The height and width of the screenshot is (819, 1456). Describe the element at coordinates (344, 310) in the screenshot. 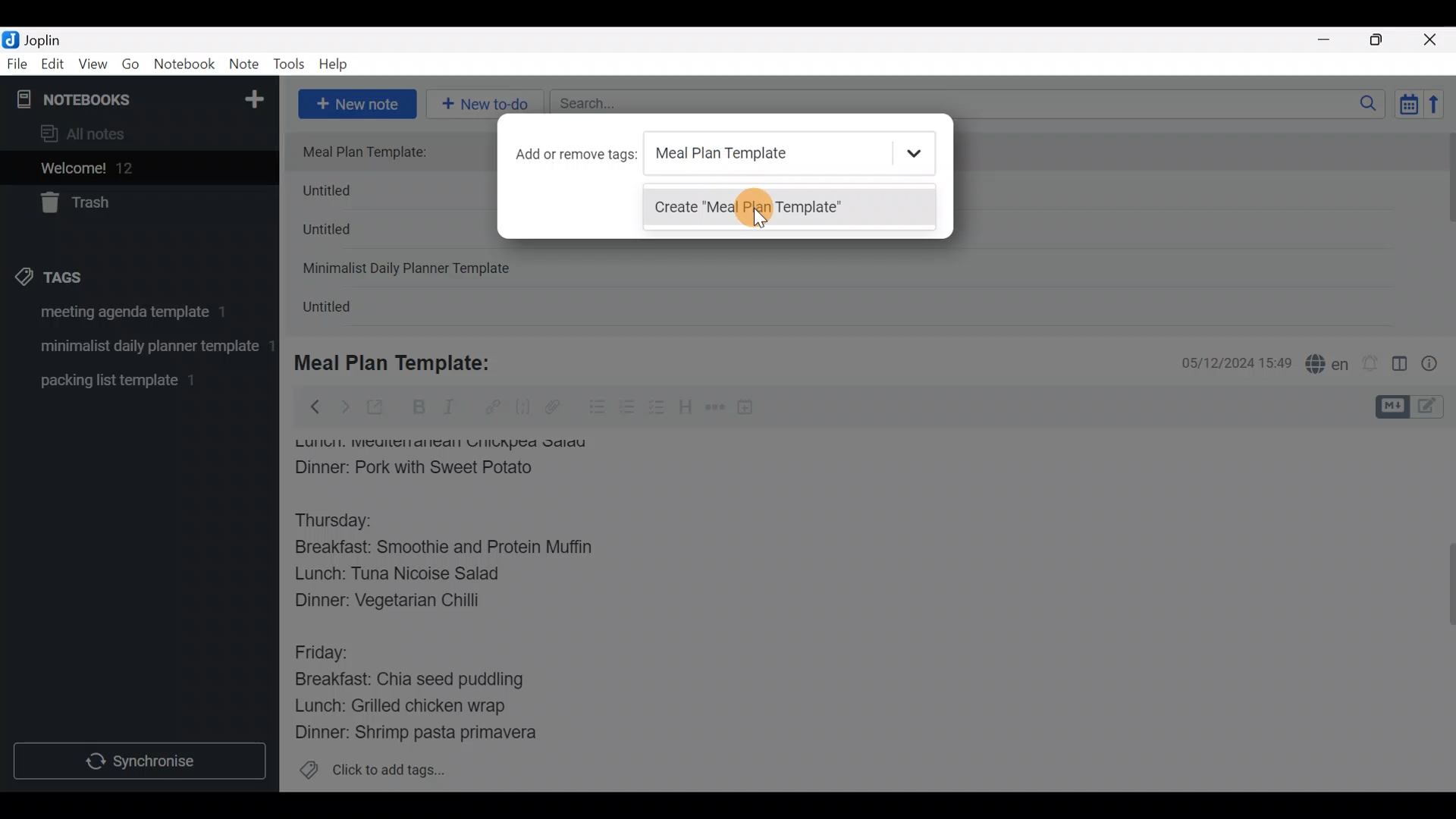

I see `Untitled` at that location.